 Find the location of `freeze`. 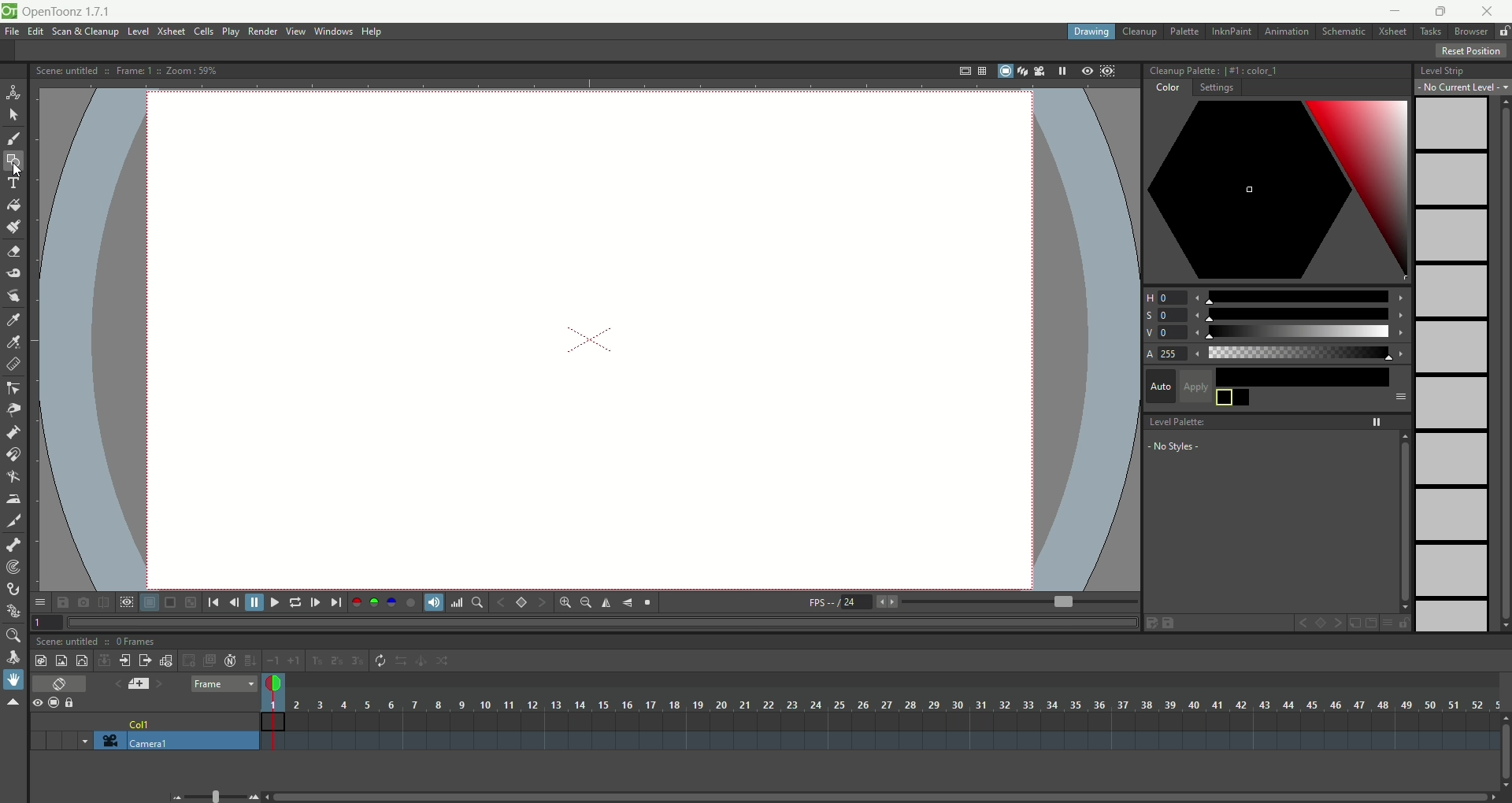

freeze is located at coordinates (1059, 71).